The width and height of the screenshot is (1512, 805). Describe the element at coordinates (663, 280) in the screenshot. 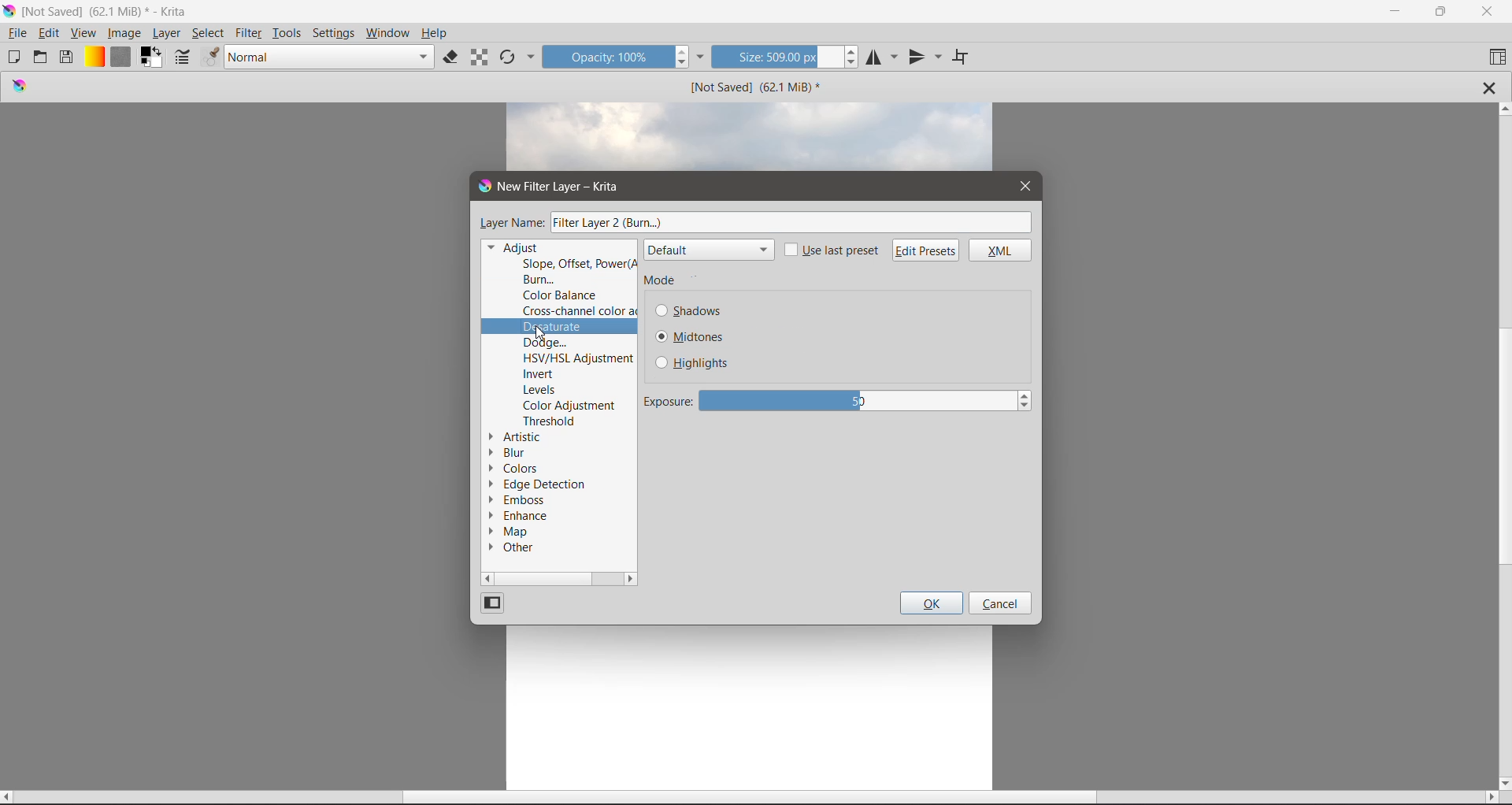

I see `Mode` at that location.